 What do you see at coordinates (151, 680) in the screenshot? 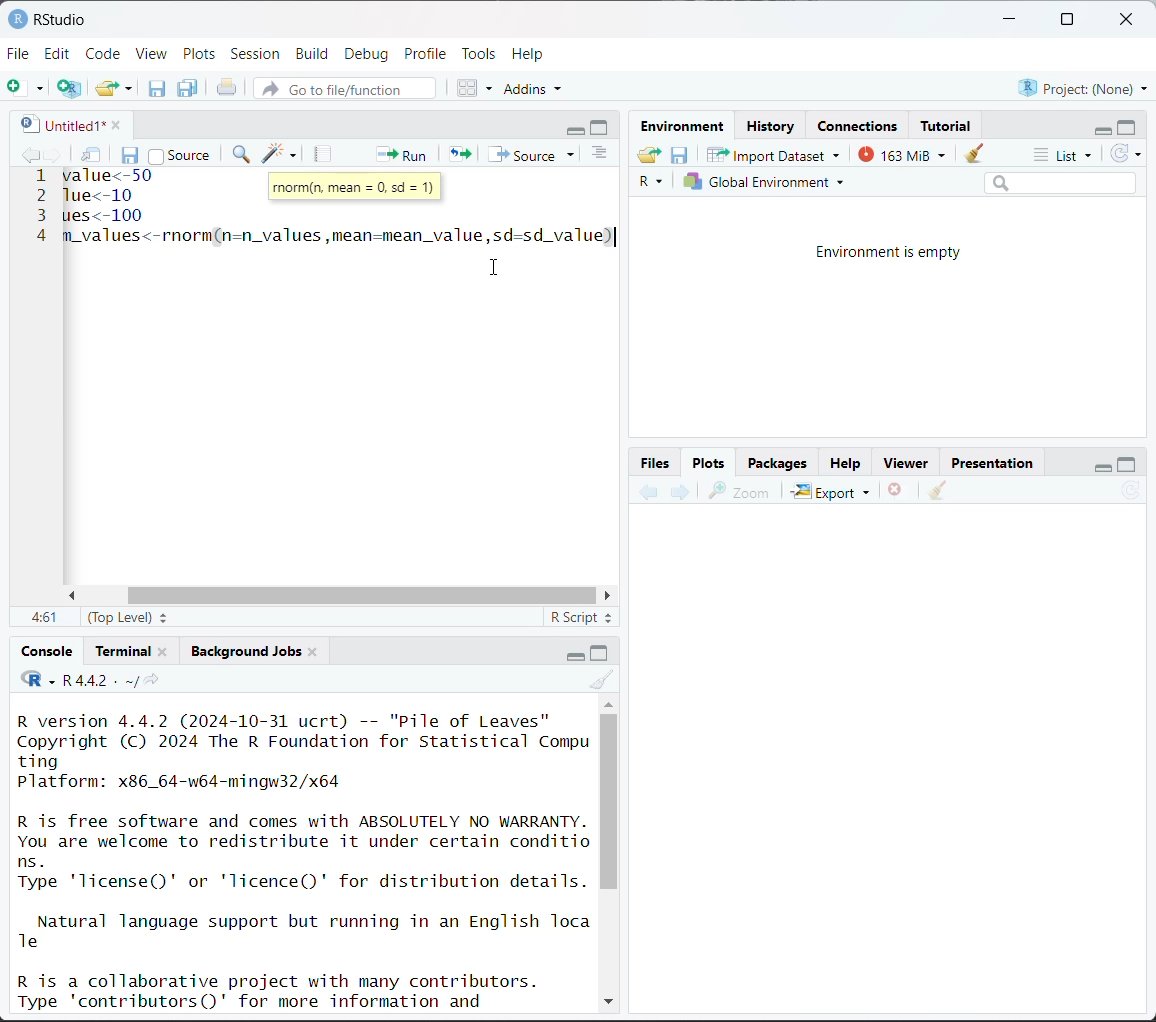
I see `view the current working directory` at bounding box center [151, 680].